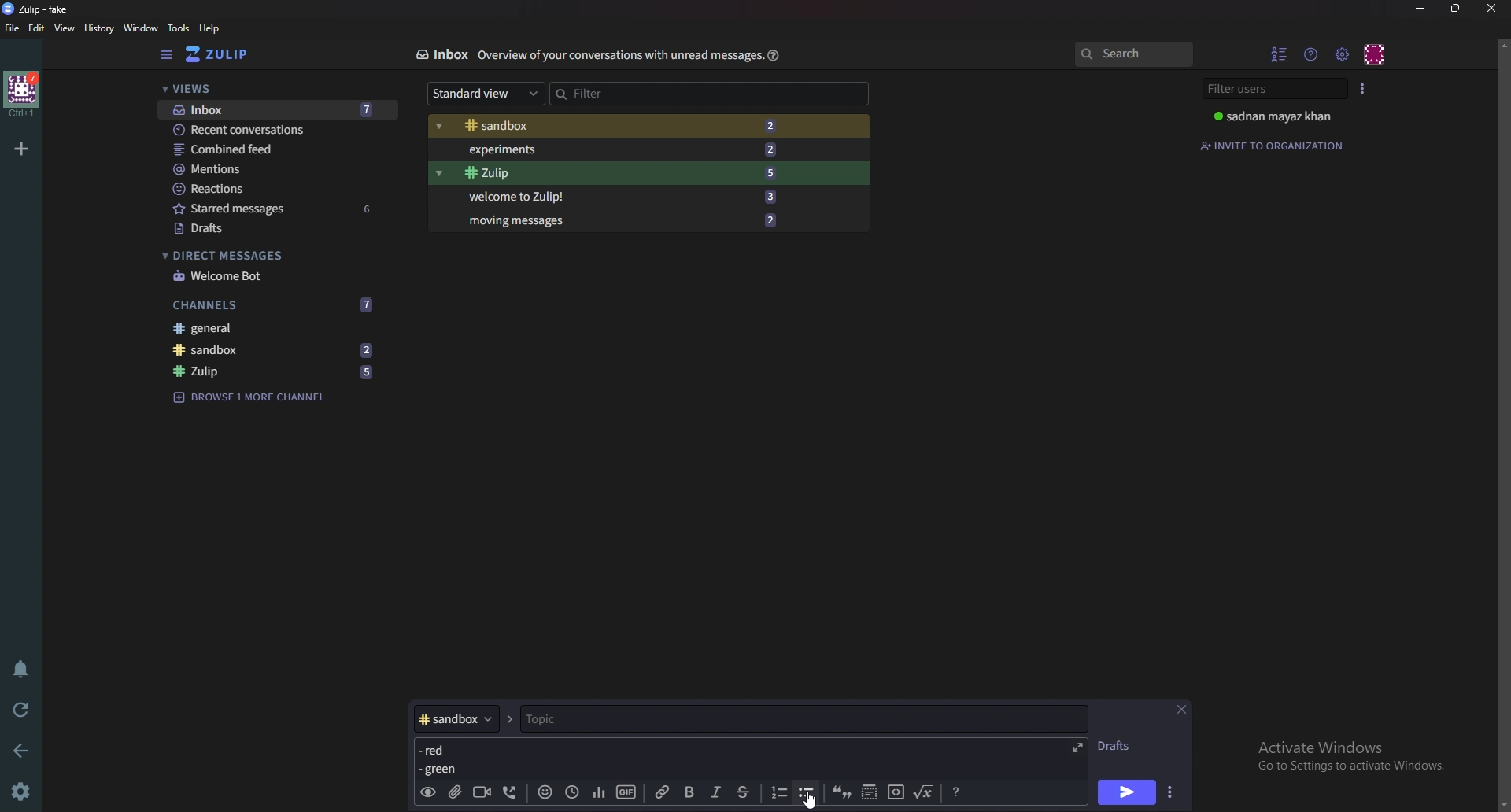  I want to click on help, so click(210, 28).